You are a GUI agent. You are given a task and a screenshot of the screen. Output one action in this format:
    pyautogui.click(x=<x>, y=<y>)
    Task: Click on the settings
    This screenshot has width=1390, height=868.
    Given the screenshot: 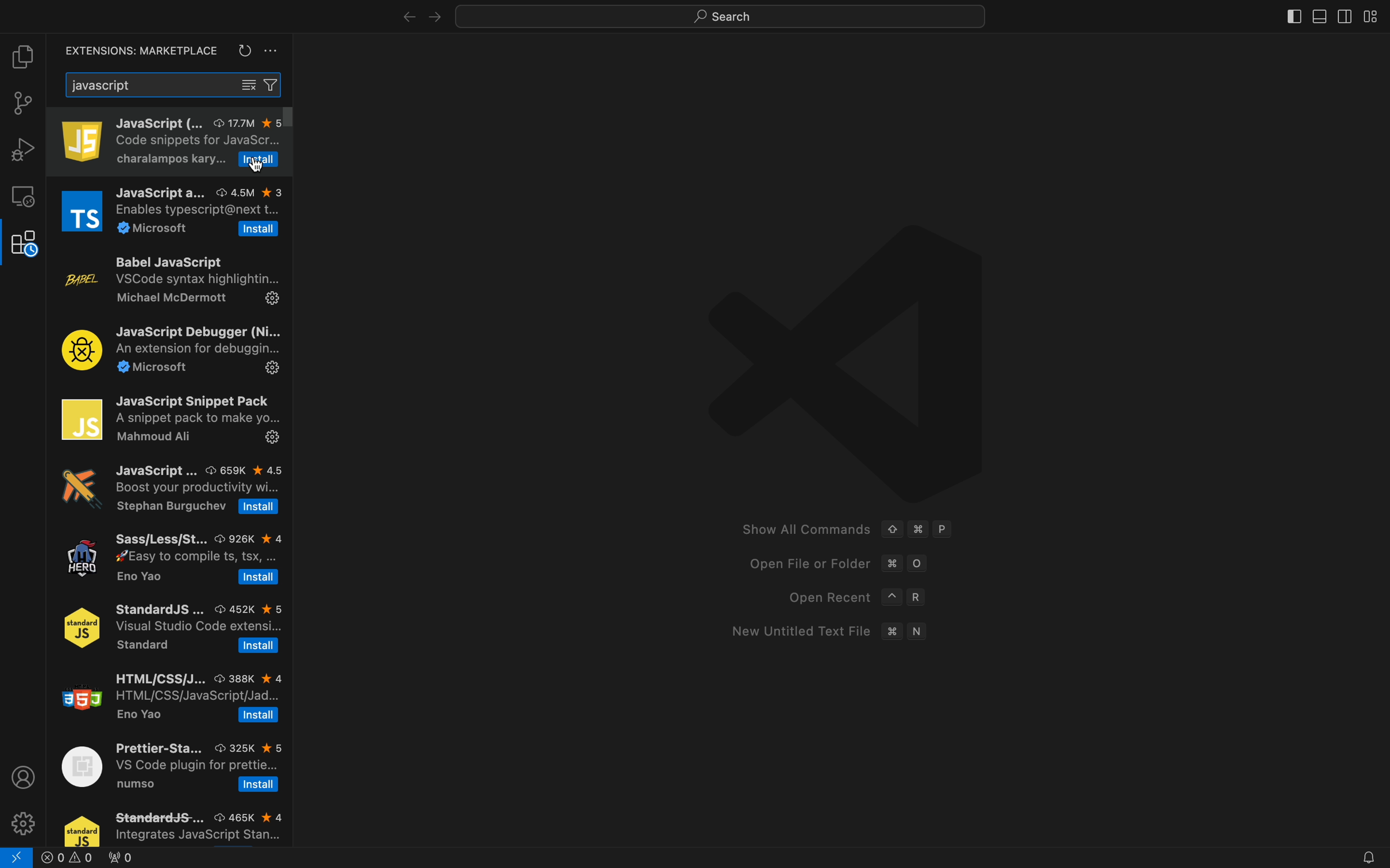 What is the action you would take?
    pyautogui.click(x=272, y=53)
    